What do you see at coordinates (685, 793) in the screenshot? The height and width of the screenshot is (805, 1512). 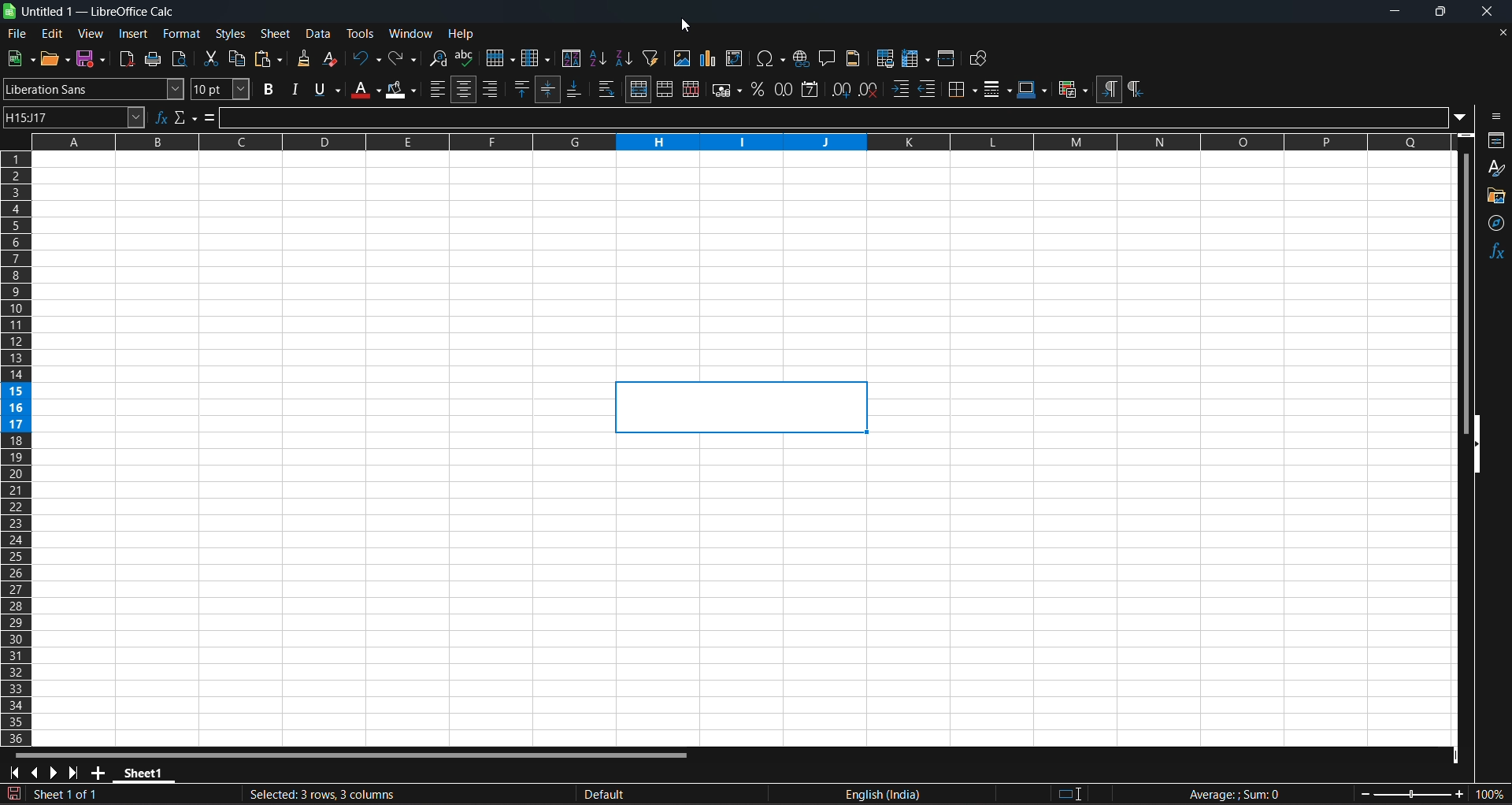 I see `default` at bounding box center [685, 793].